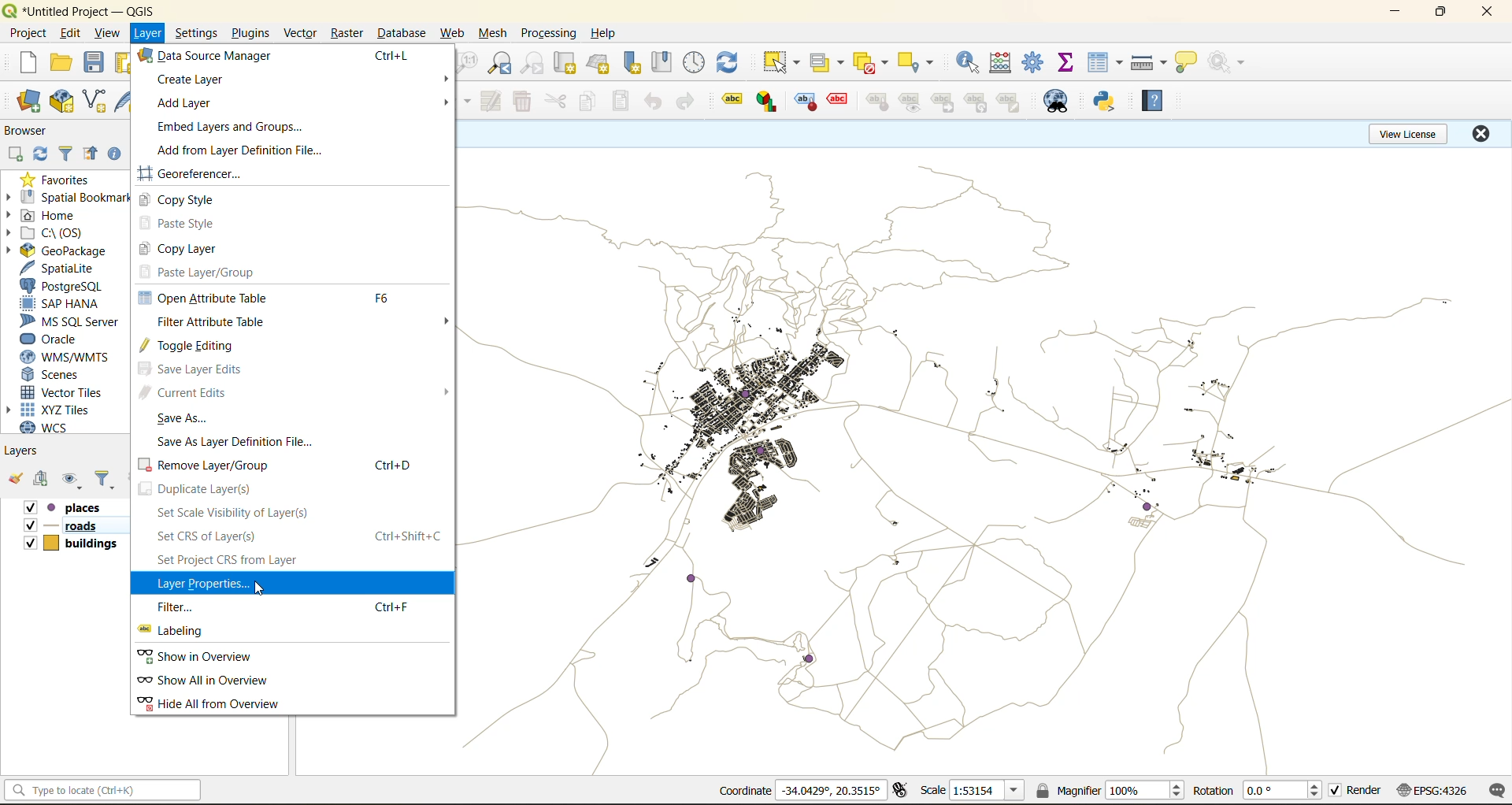  I want to click on undo, so click(655, 102).